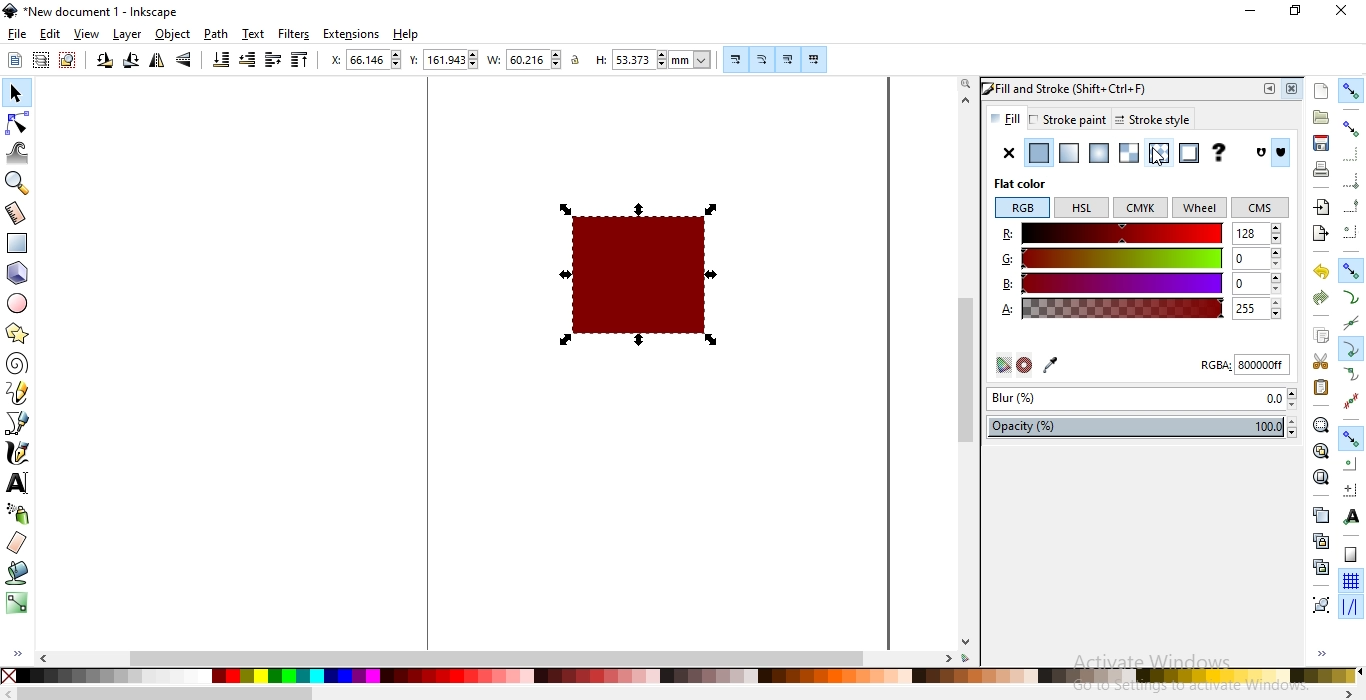 The height and width of the screenshot is (700, 1366). Describe the element at coordinates (1320, 477) in the screenshot. I see `zoom to fit page` at that location.